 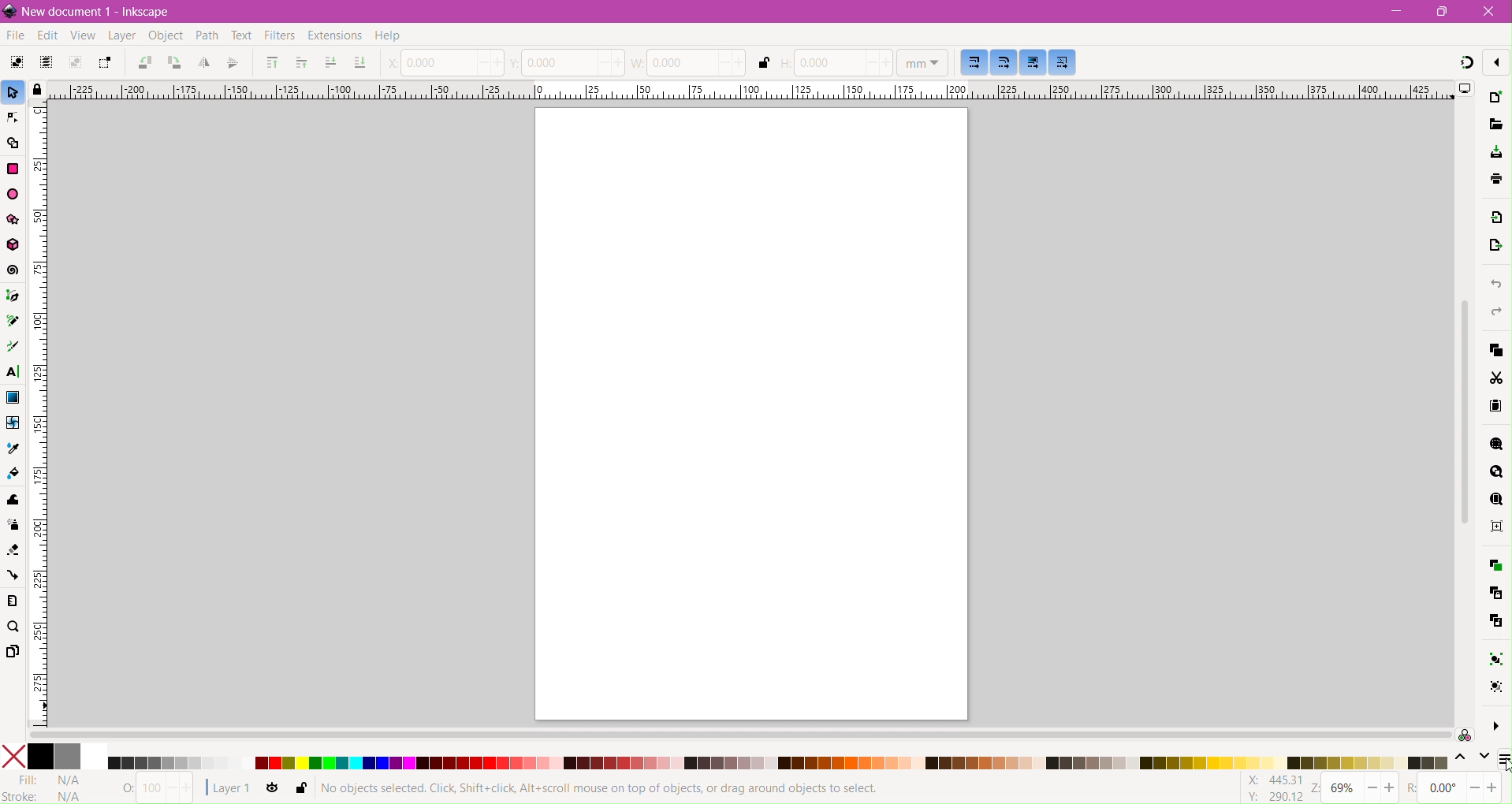 I want to click on Zoom Tool, so click(x=16, y=628).